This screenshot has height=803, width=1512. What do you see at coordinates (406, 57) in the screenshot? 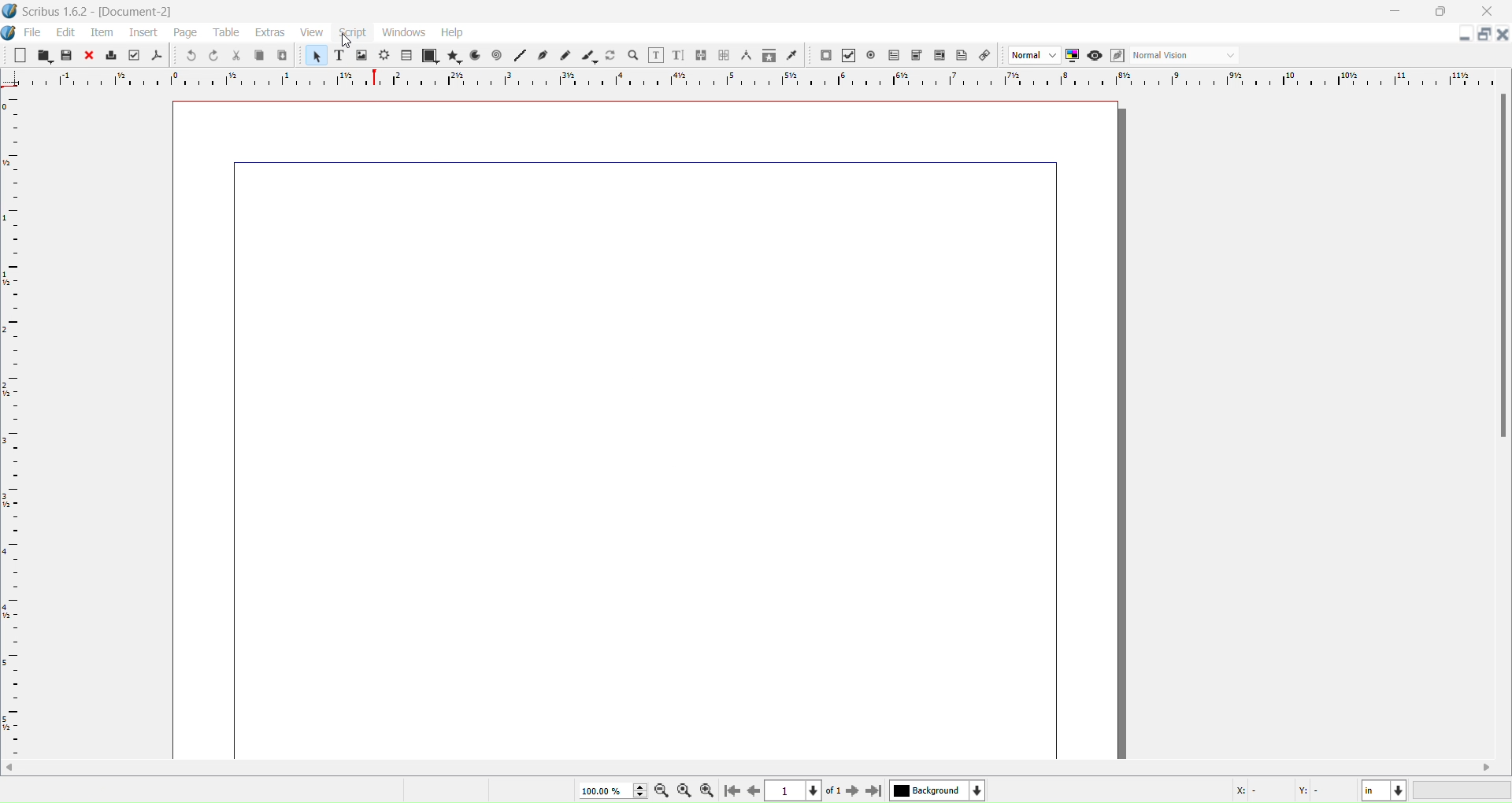
I see `Table` at bounding box center [406, 57].